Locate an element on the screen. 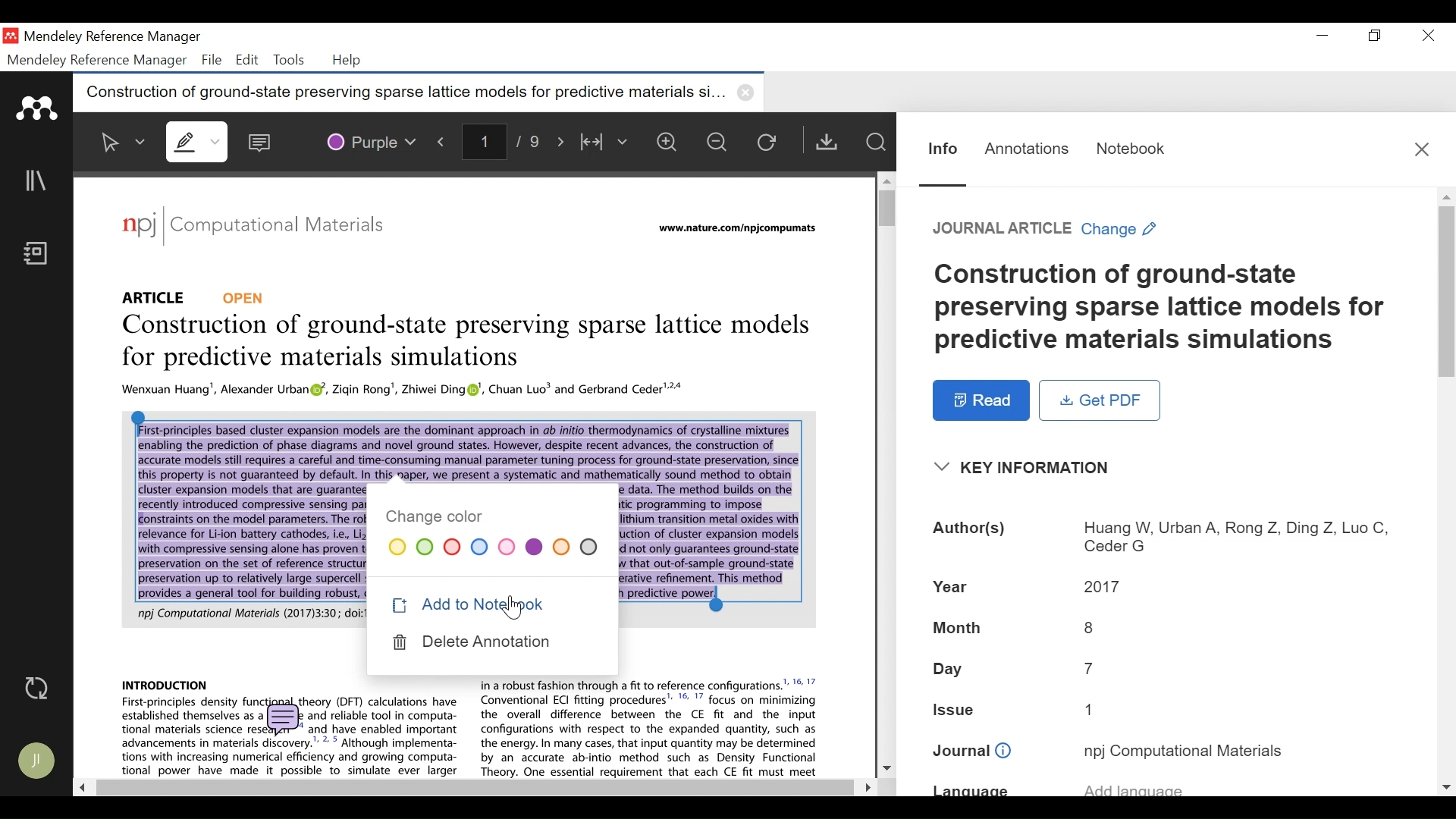 This screenshot has height=819, width=1456. Key Information is located at coordinates (1027, 468).